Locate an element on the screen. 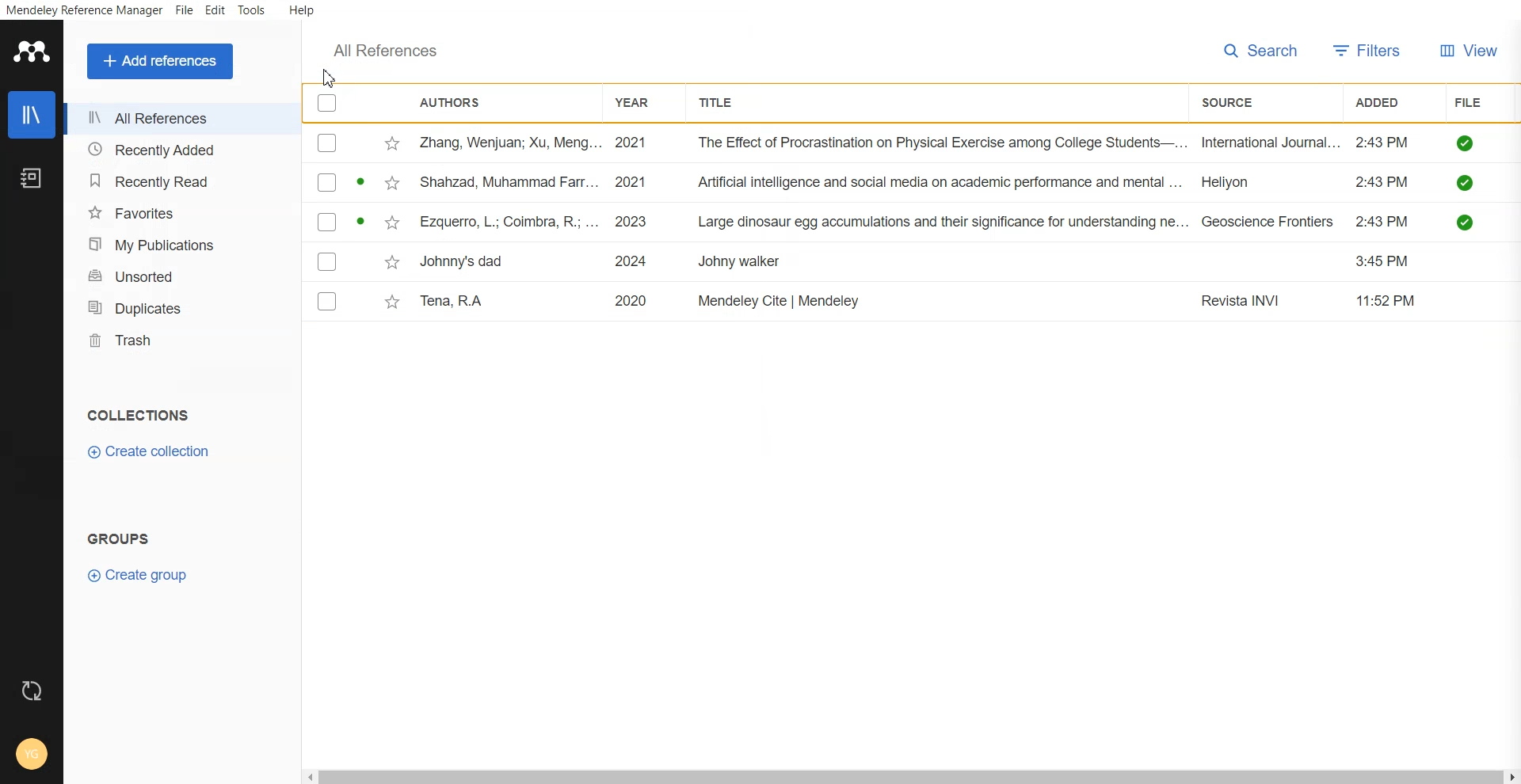  scroll left is located at coordinates (308, 776).